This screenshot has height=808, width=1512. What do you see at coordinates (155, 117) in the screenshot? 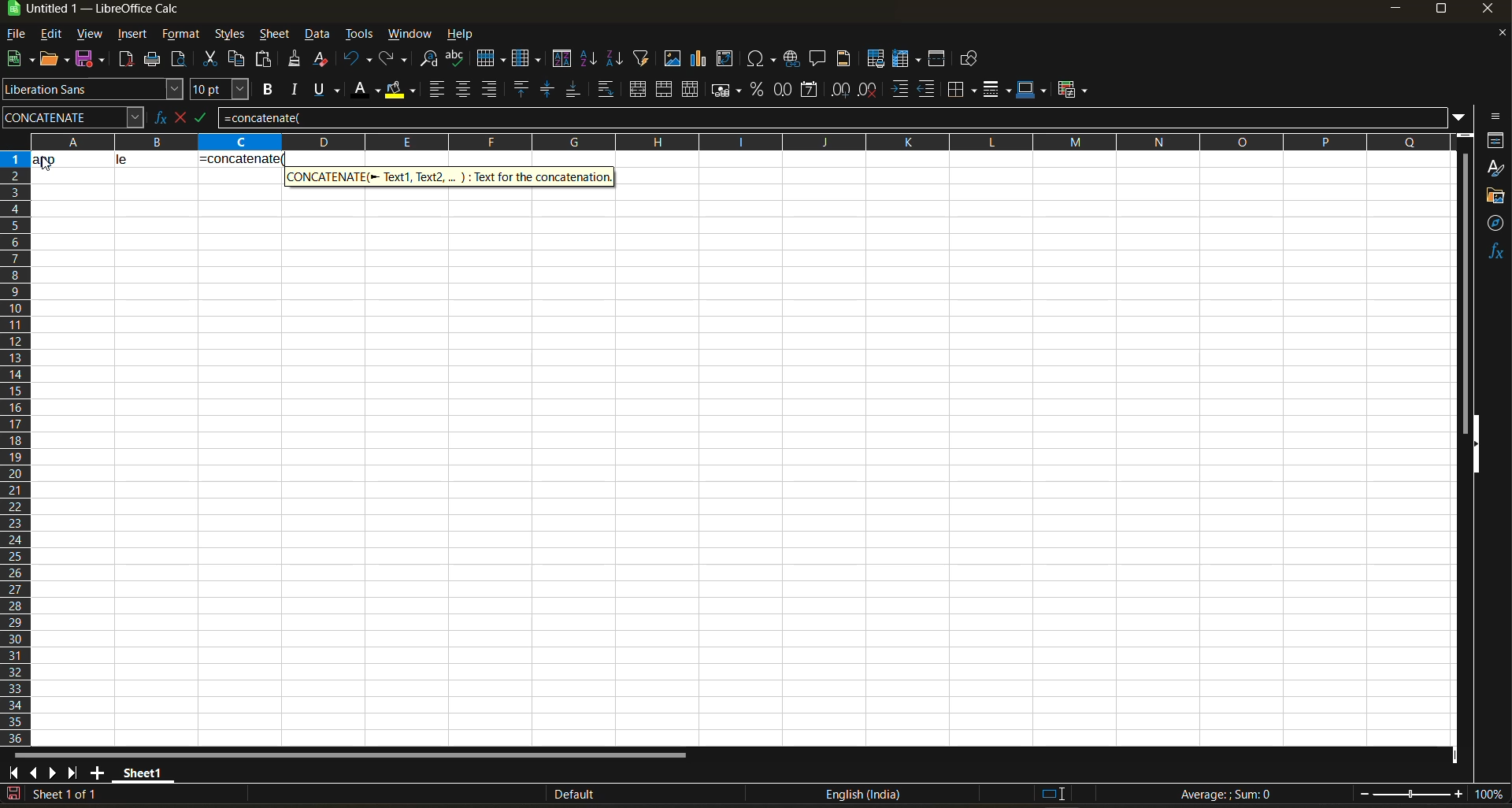
I see `function wizard` at bounding box center [155, 117].